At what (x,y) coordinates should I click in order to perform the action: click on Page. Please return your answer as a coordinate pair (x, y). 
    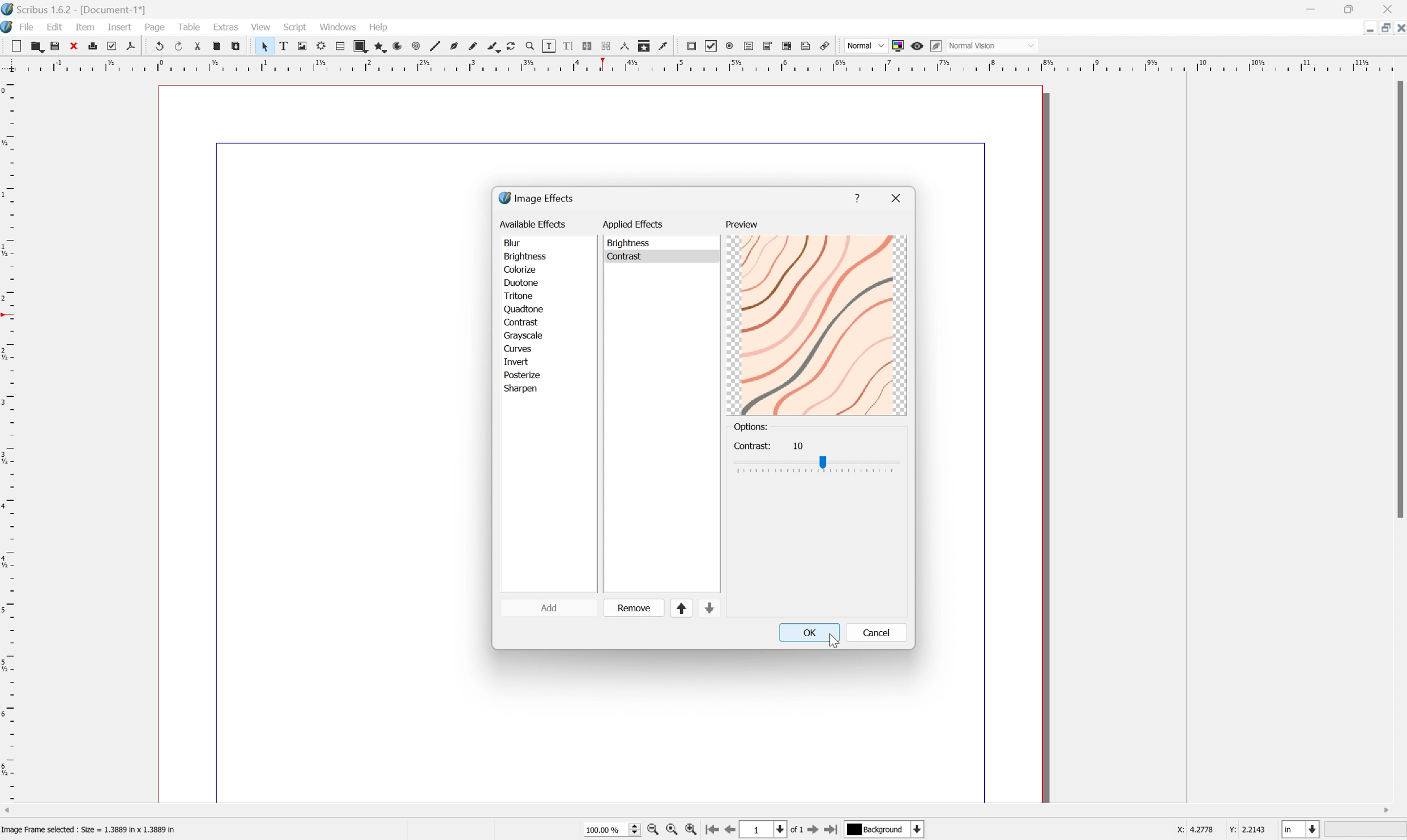
    Looking at the image, I should click on (155, 27).